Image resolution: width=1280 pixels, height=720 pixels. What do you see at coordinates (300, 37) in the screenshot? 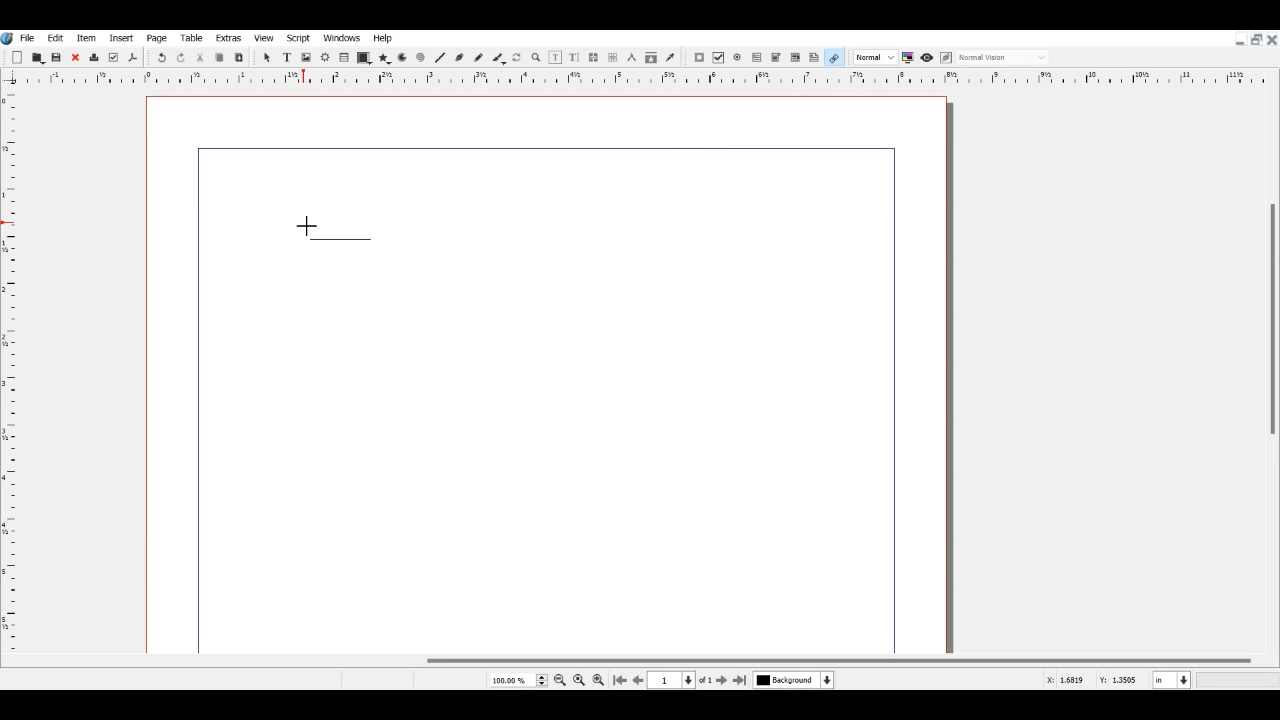
I see `Script` at bounding box center [300, 37].